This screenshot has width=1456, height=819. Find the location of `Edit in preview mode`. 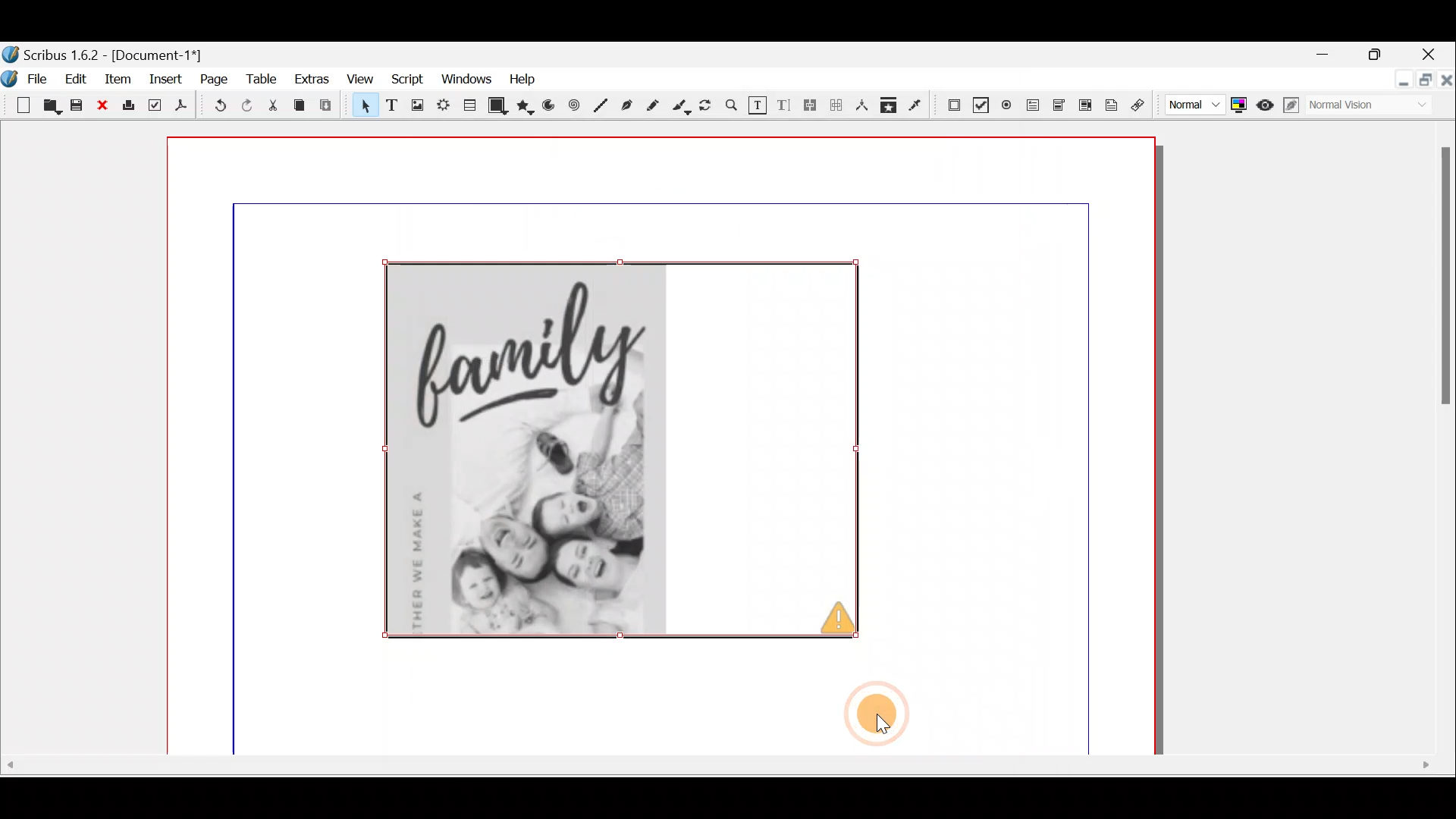

Edit in preview mode is located at coordinates (1289, 104).